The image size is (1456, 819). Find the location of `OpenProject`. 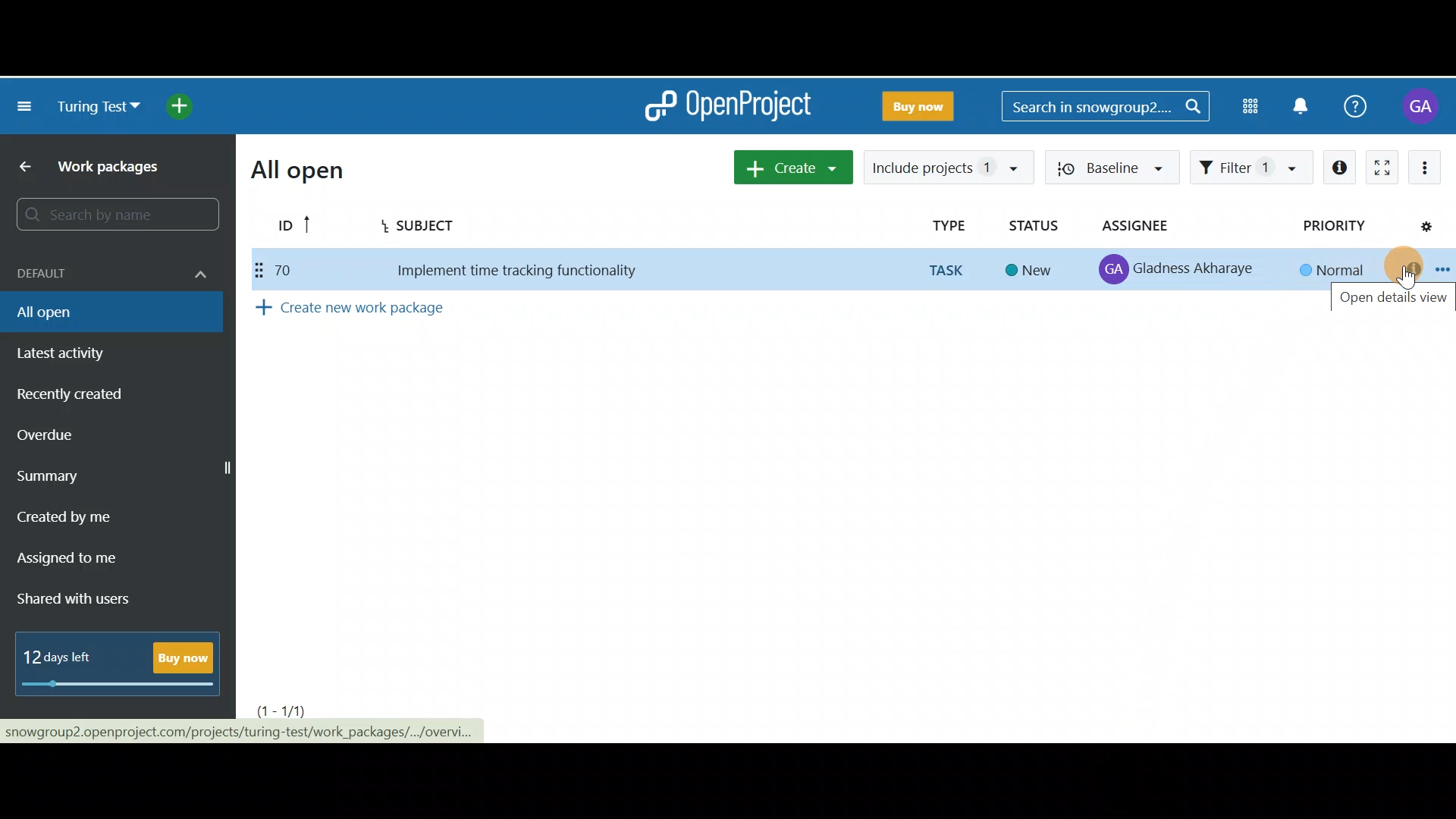

OpenProject is located at coordinates (727, 106).